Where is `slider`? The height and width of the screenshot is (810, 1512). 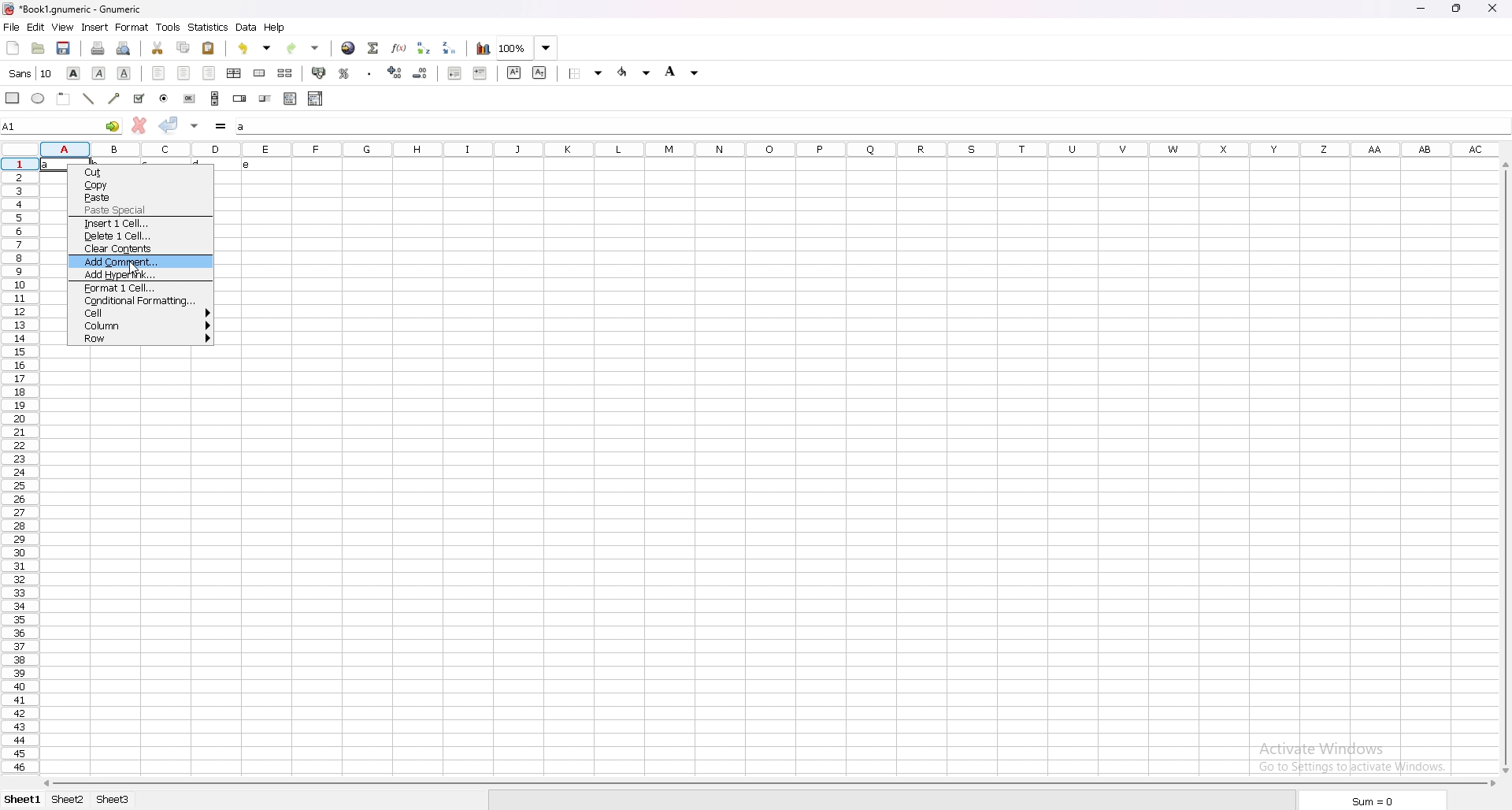
slider is located at coordinates (265, 99).